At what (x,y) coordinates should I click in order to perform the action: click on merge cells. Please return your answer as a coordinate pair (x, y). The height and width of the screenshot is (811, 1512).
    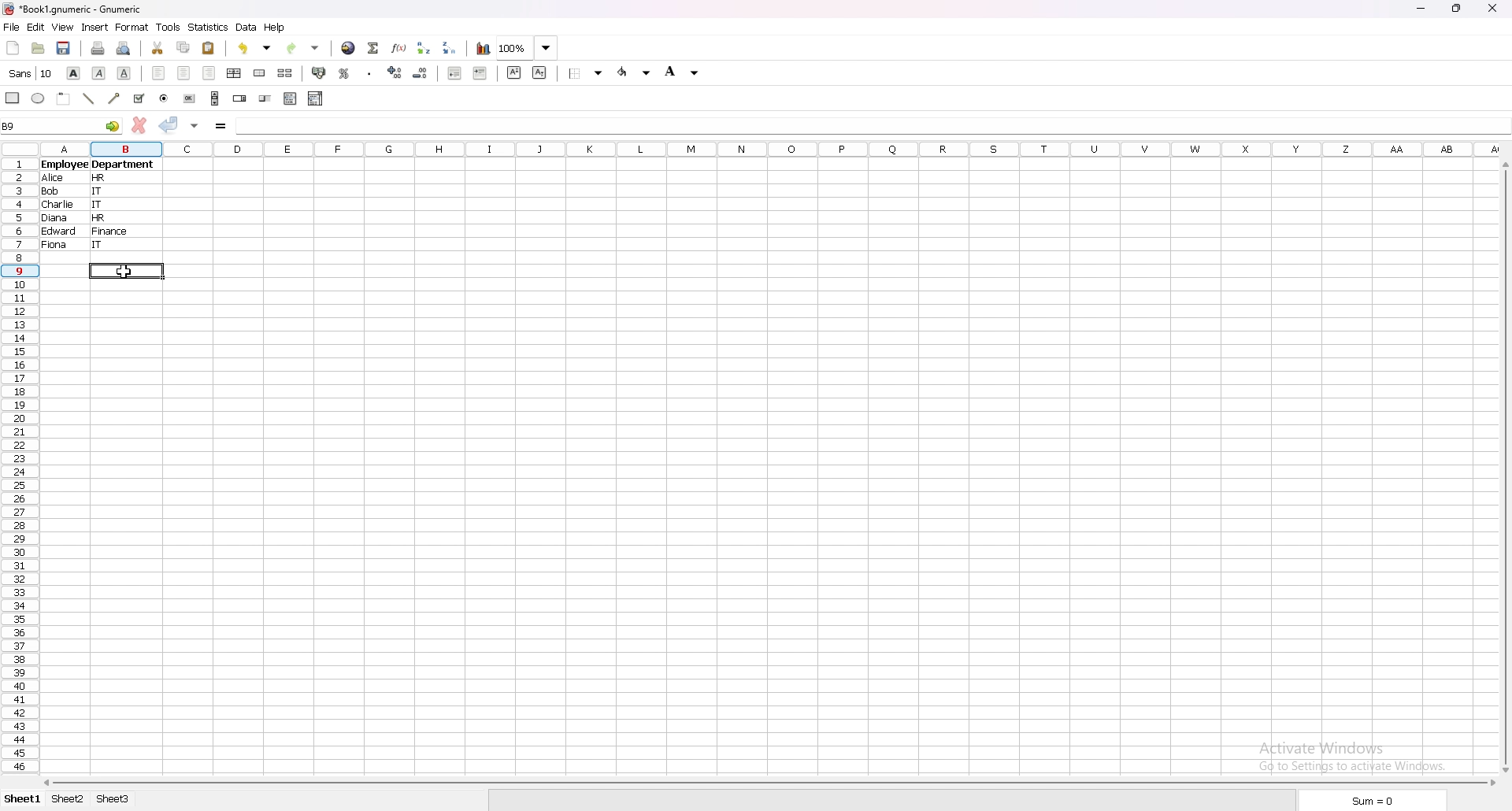
    Looking at the image, I should click on (260, 73).